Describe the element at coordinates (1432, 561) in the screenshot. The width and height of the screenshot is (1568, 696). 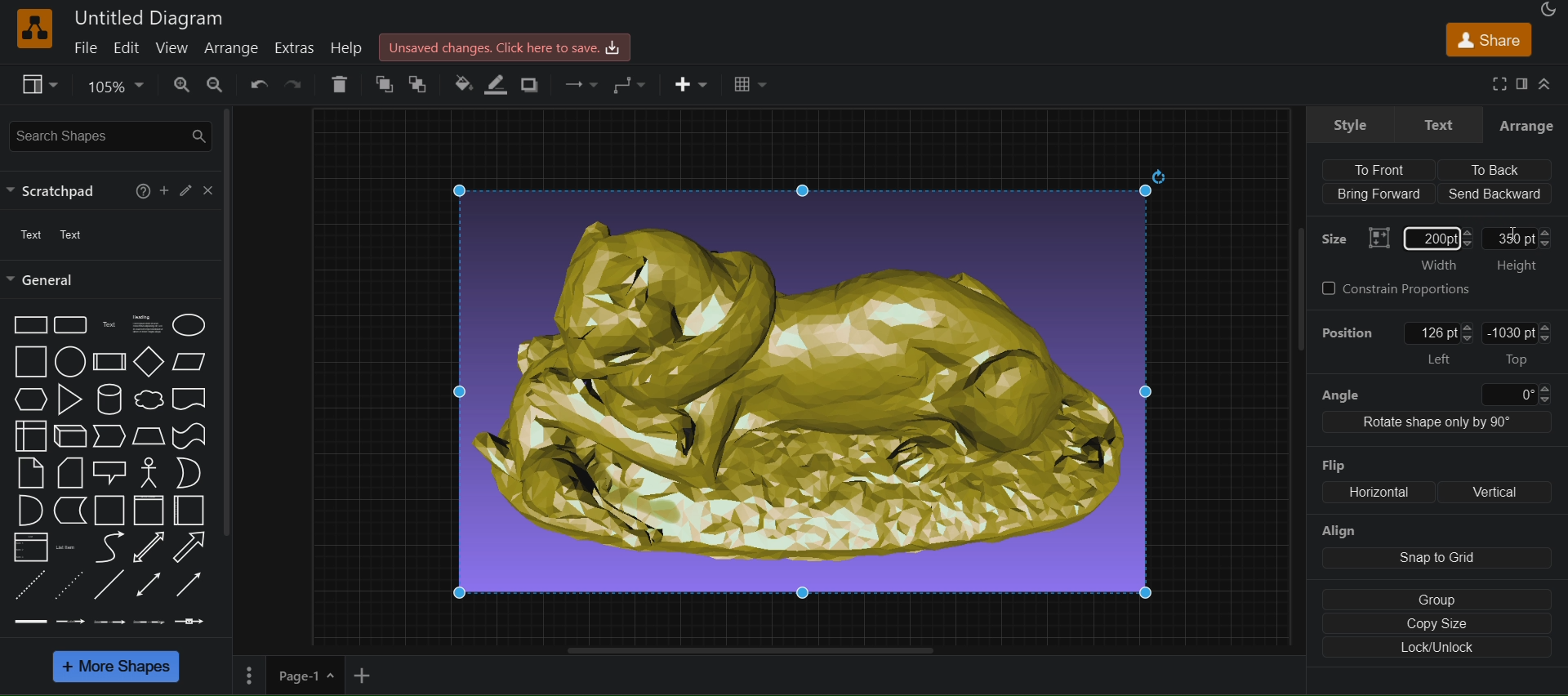
I see `align` at that location.